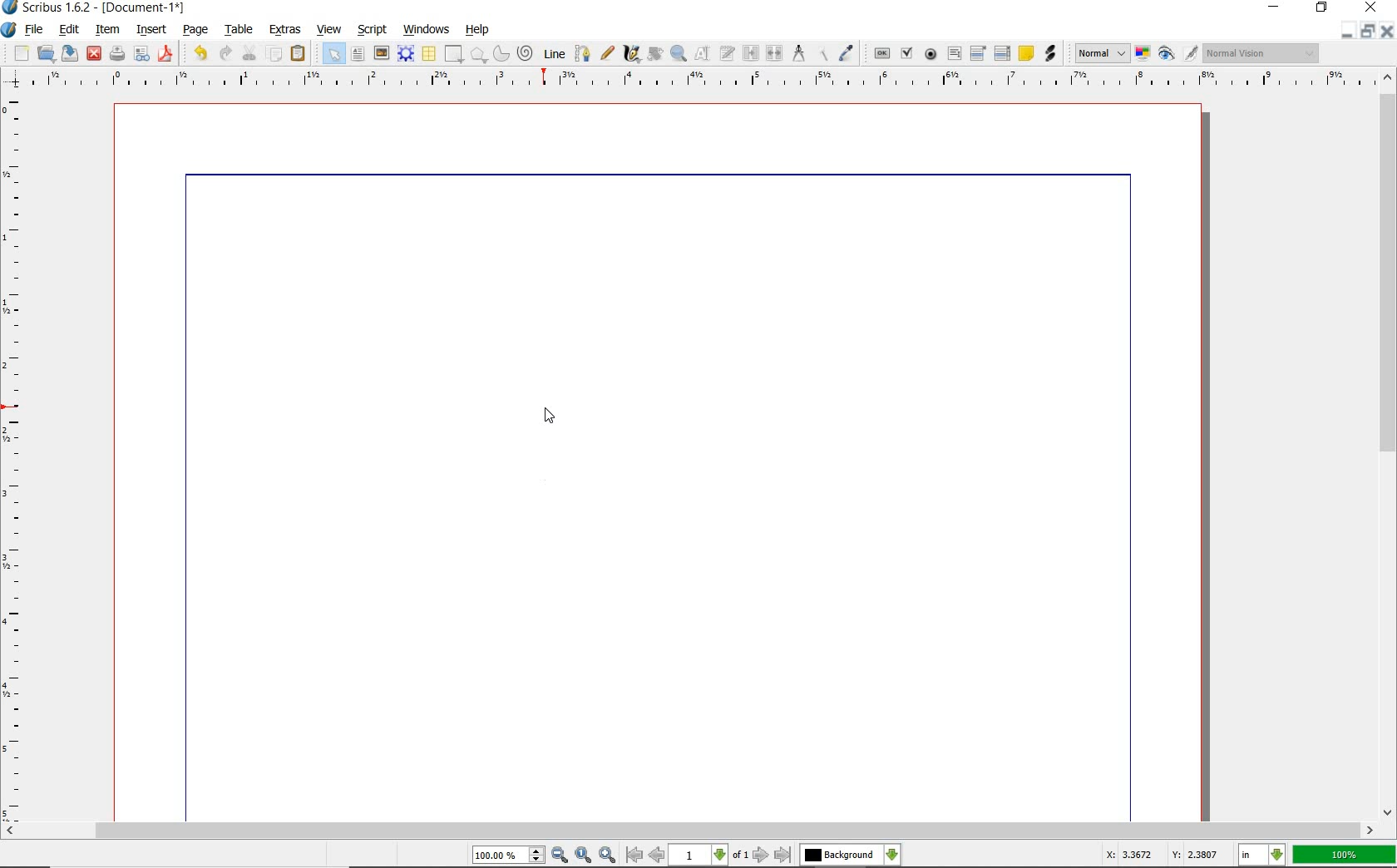  I want to click on select the current unit: in, so click(1261, 853).